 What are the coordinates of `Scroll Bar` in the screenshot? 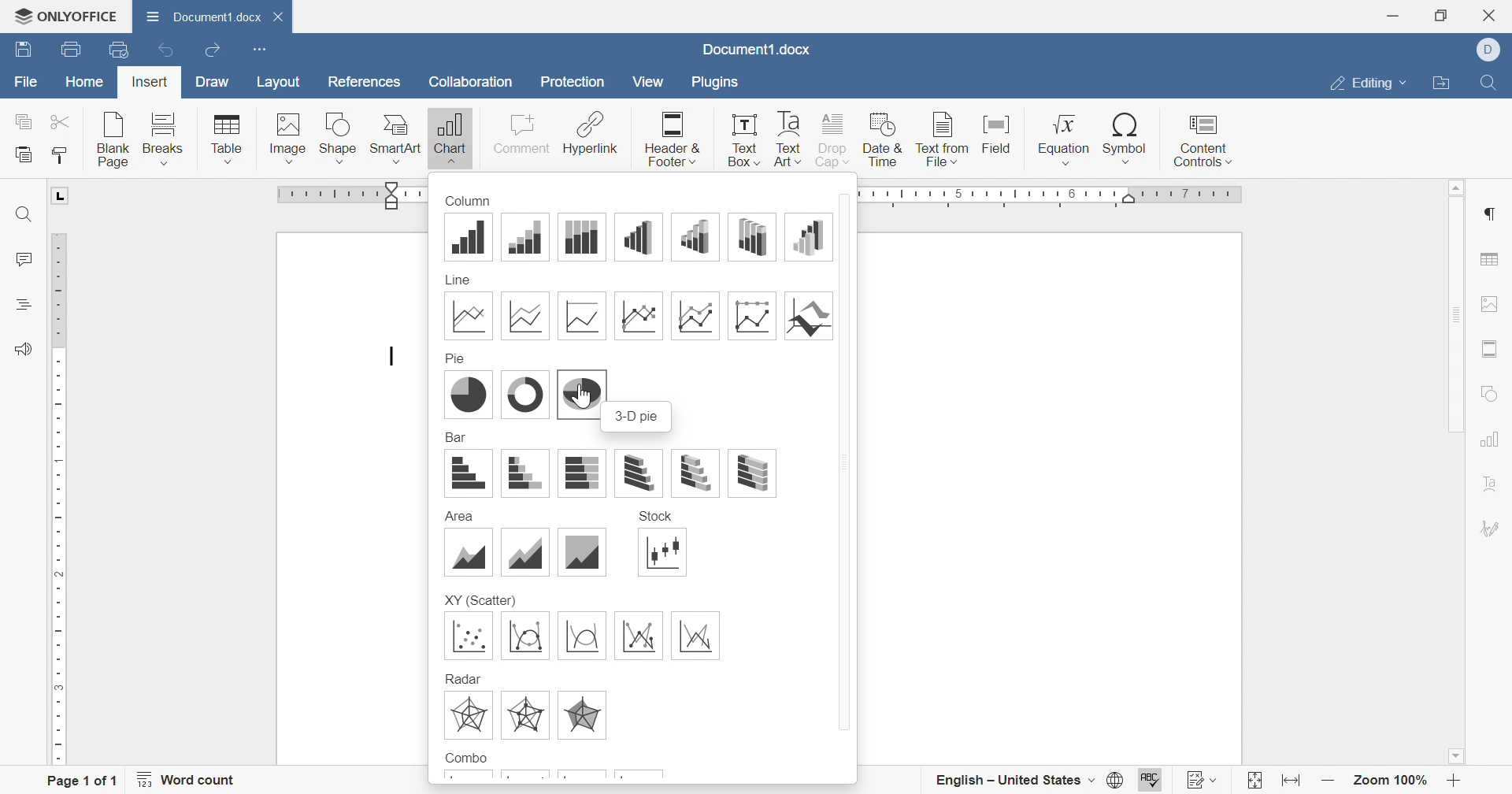 It's located at (1456, 315).